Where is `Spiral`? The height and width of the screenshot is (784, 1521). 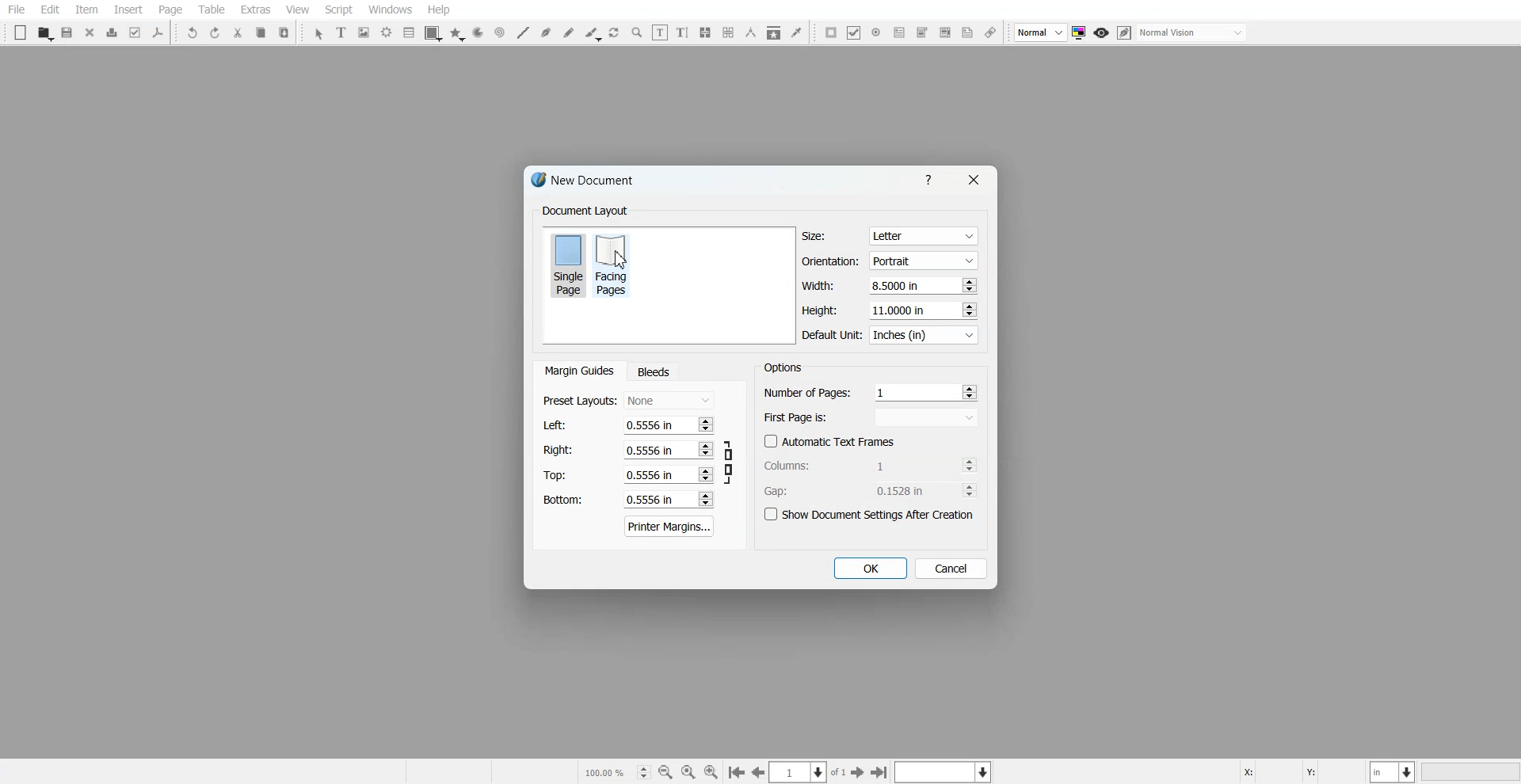 Spiral is located at coordinates (499, 32).